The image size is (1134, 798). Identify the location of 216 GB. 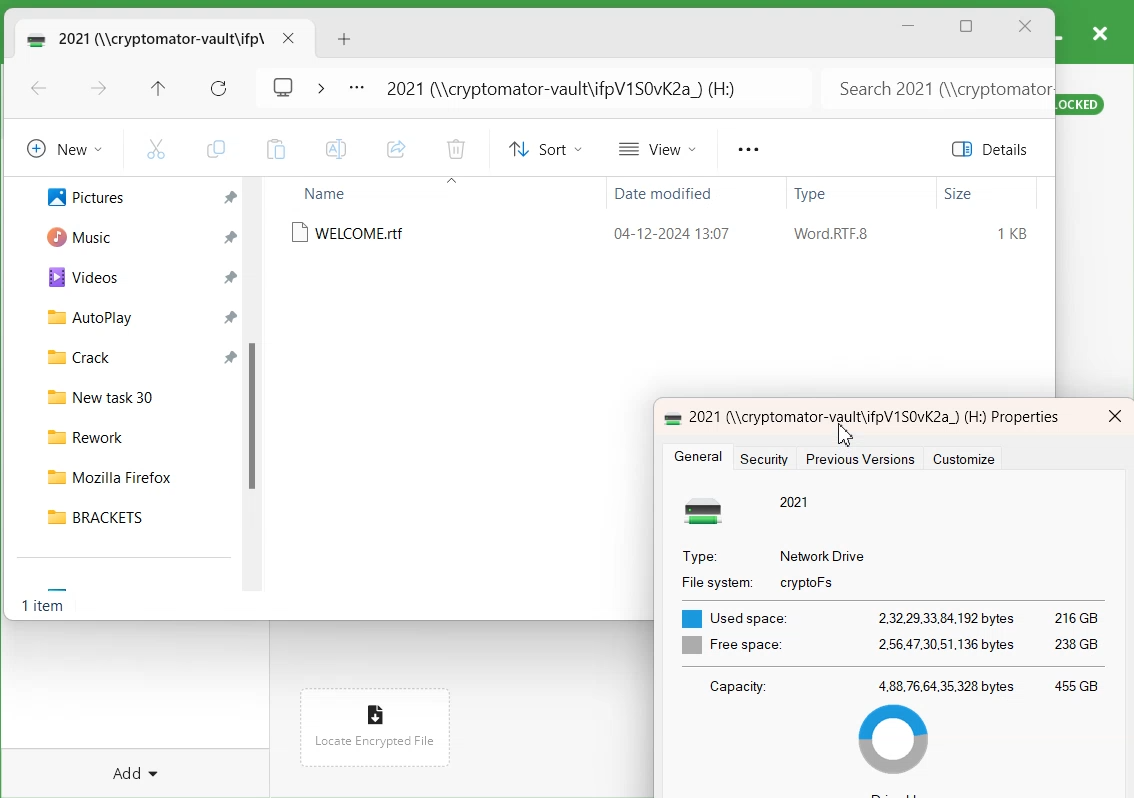
(1078, 618).